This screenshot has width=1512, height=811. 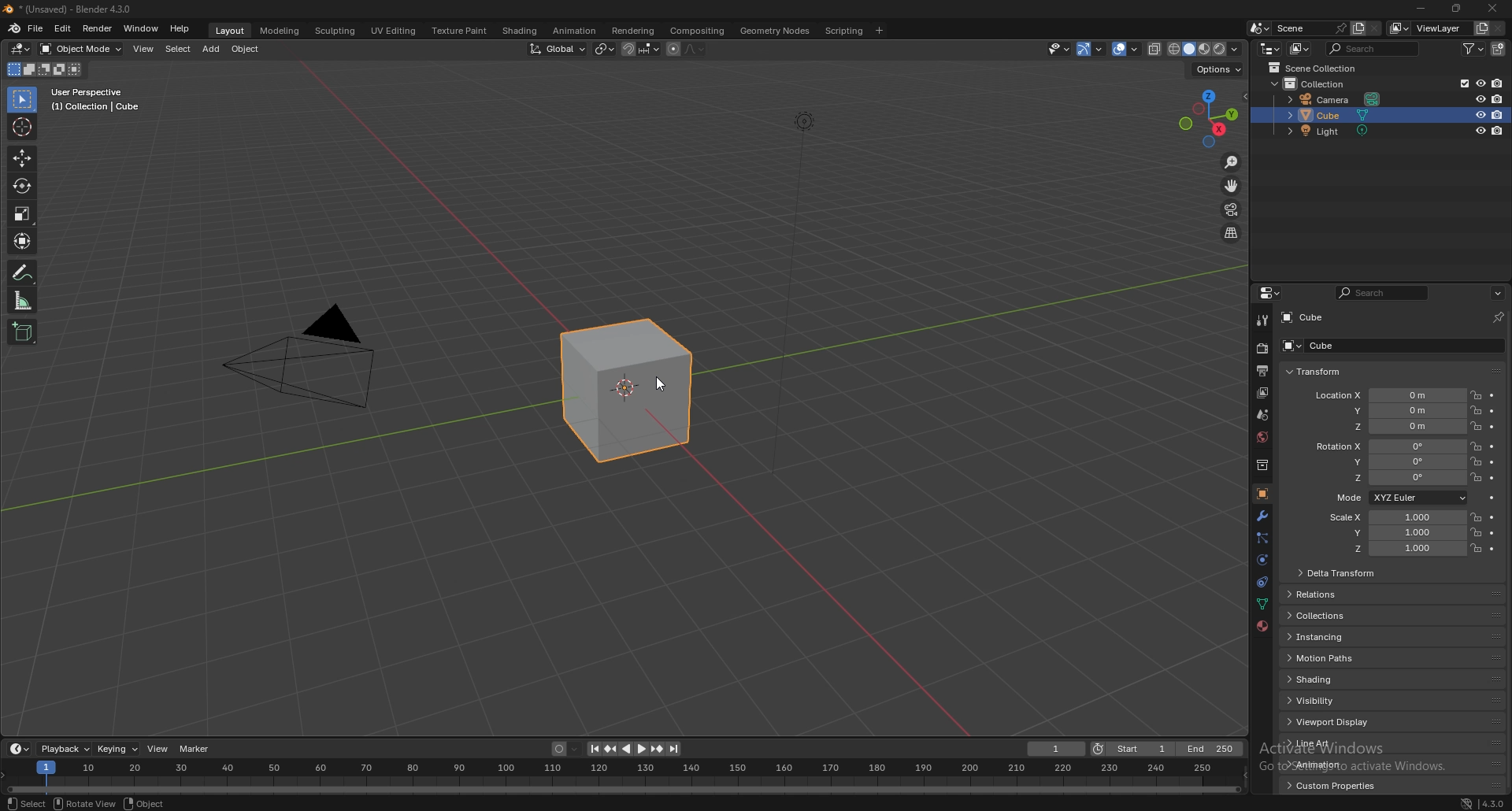 What do you see at coordinates (1262, 516) in the screenshot?
I see `modifier` at bounding box center [1262, 516].